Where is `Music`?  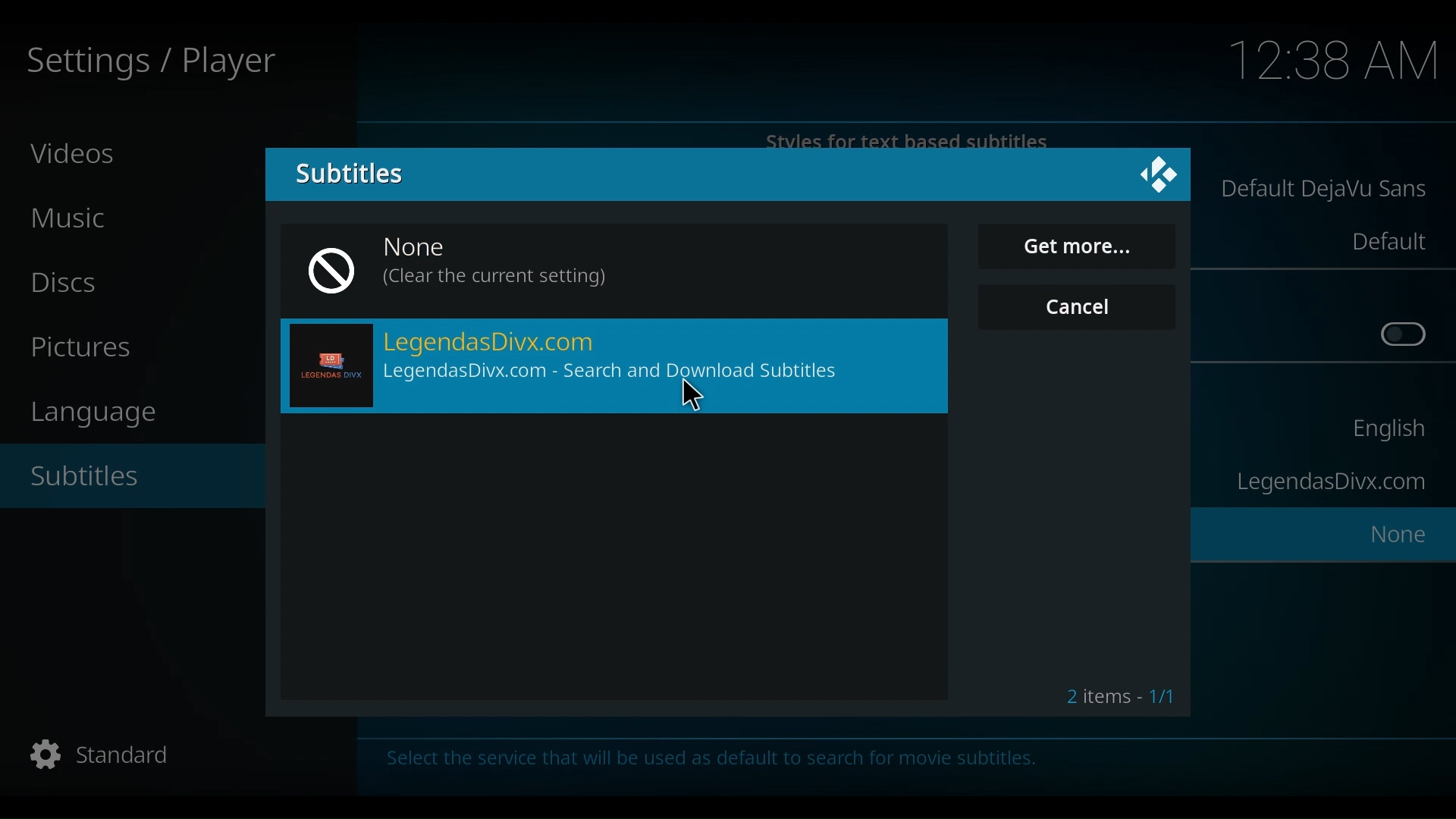 Music is located at coordinates (76, 219).